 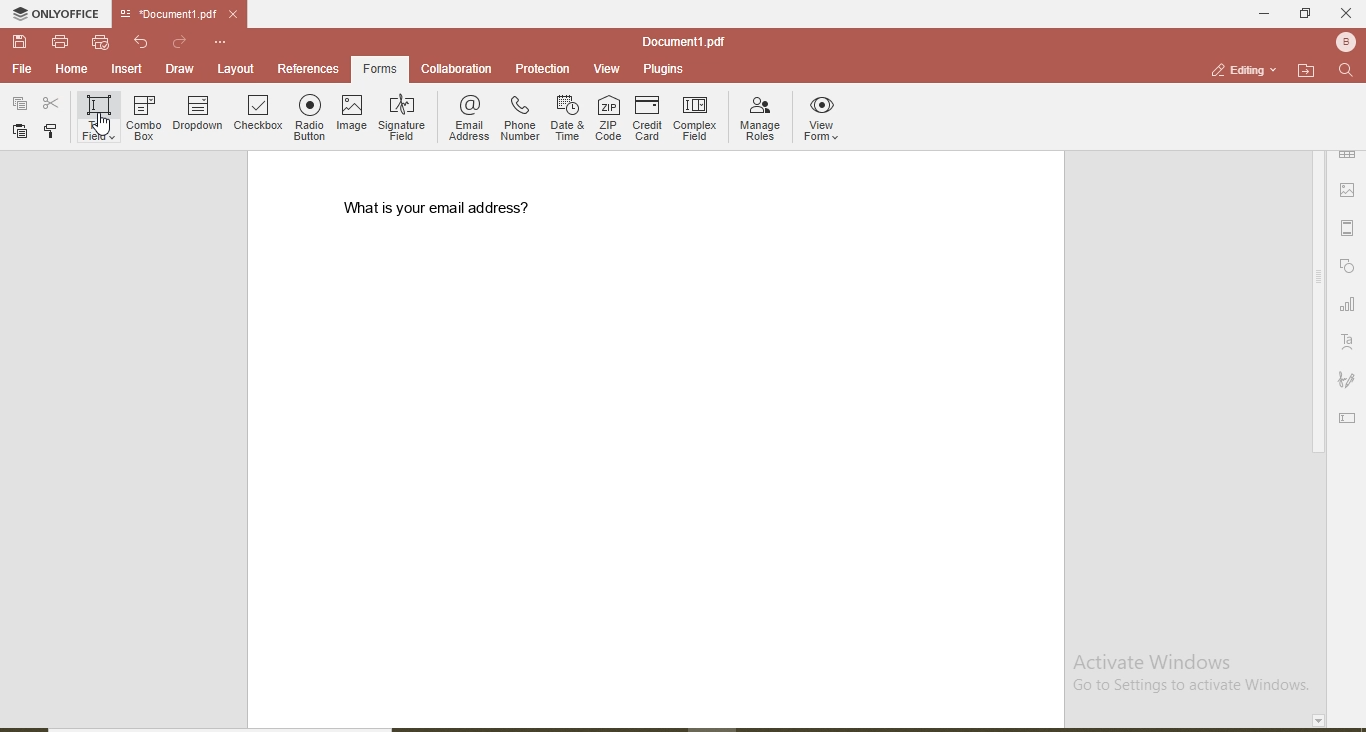 I want to click on picture, so click(x=1351, y=189).